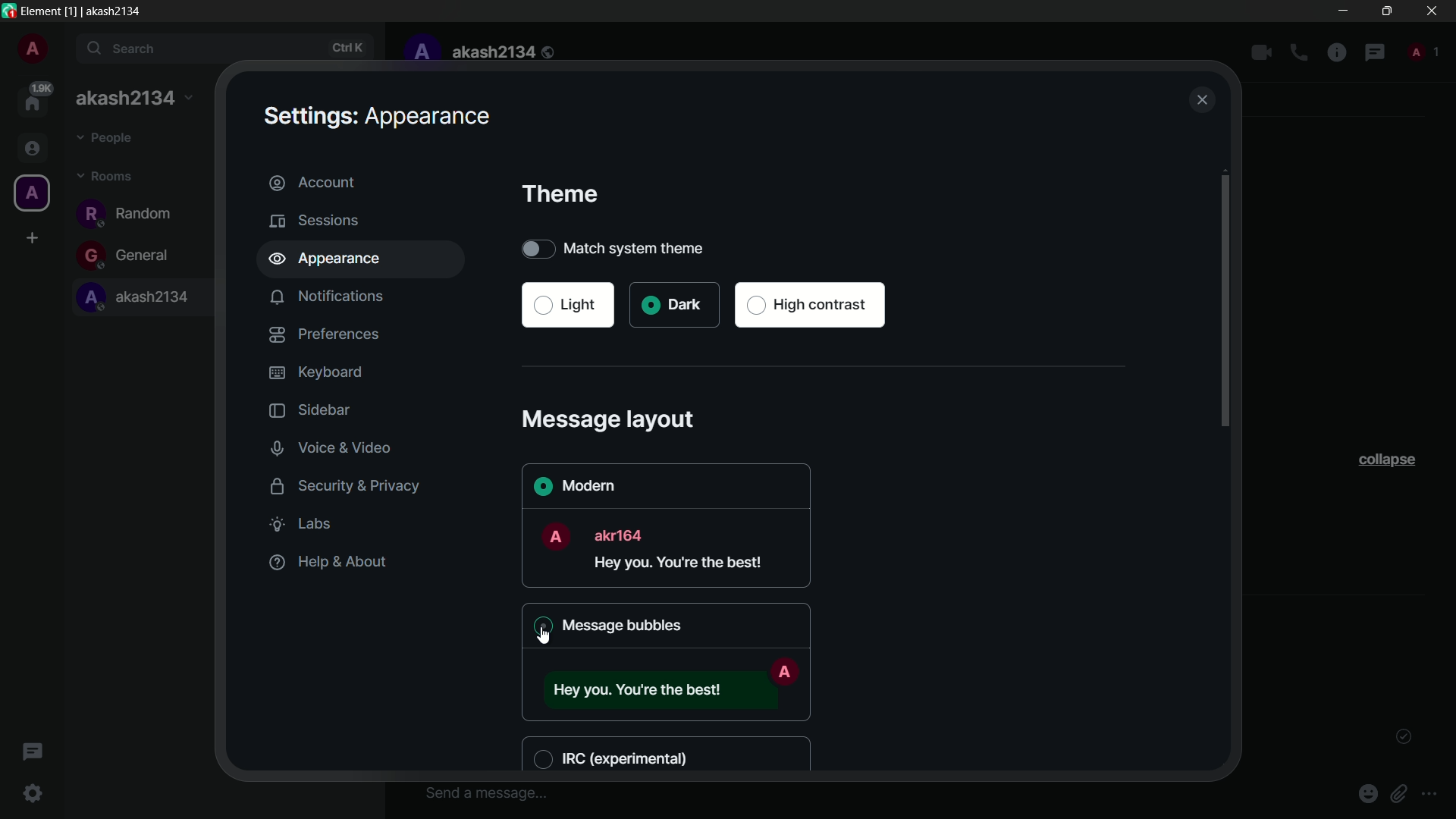 This screenshot has height=819, width=1456. What do you see at coordinates (1261, 52) in the screenshot?
I see `add video call` at bounding box center [1261, 52].